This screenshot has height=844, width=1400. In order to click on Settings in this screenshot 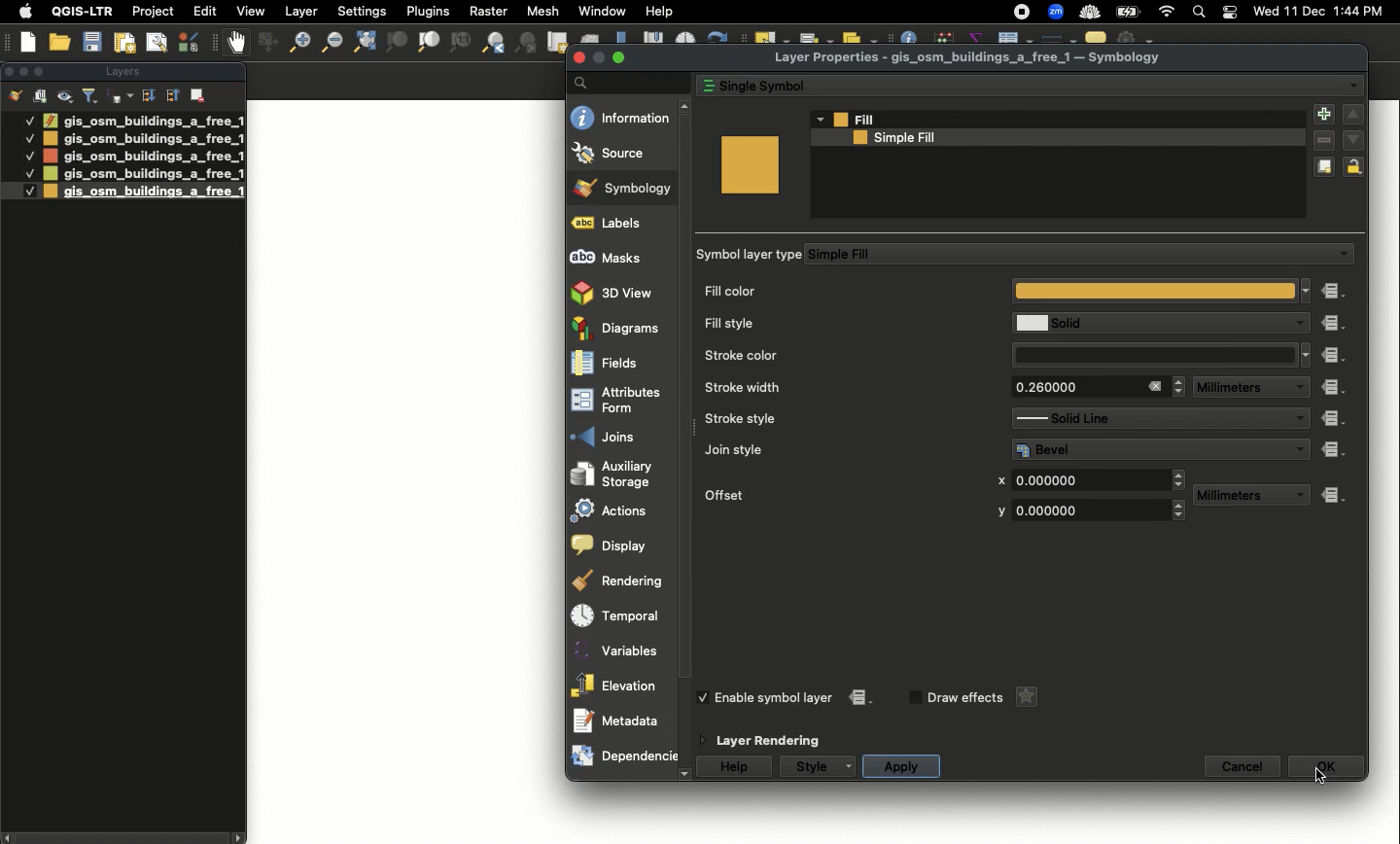, I will do `click(364, 12)`.